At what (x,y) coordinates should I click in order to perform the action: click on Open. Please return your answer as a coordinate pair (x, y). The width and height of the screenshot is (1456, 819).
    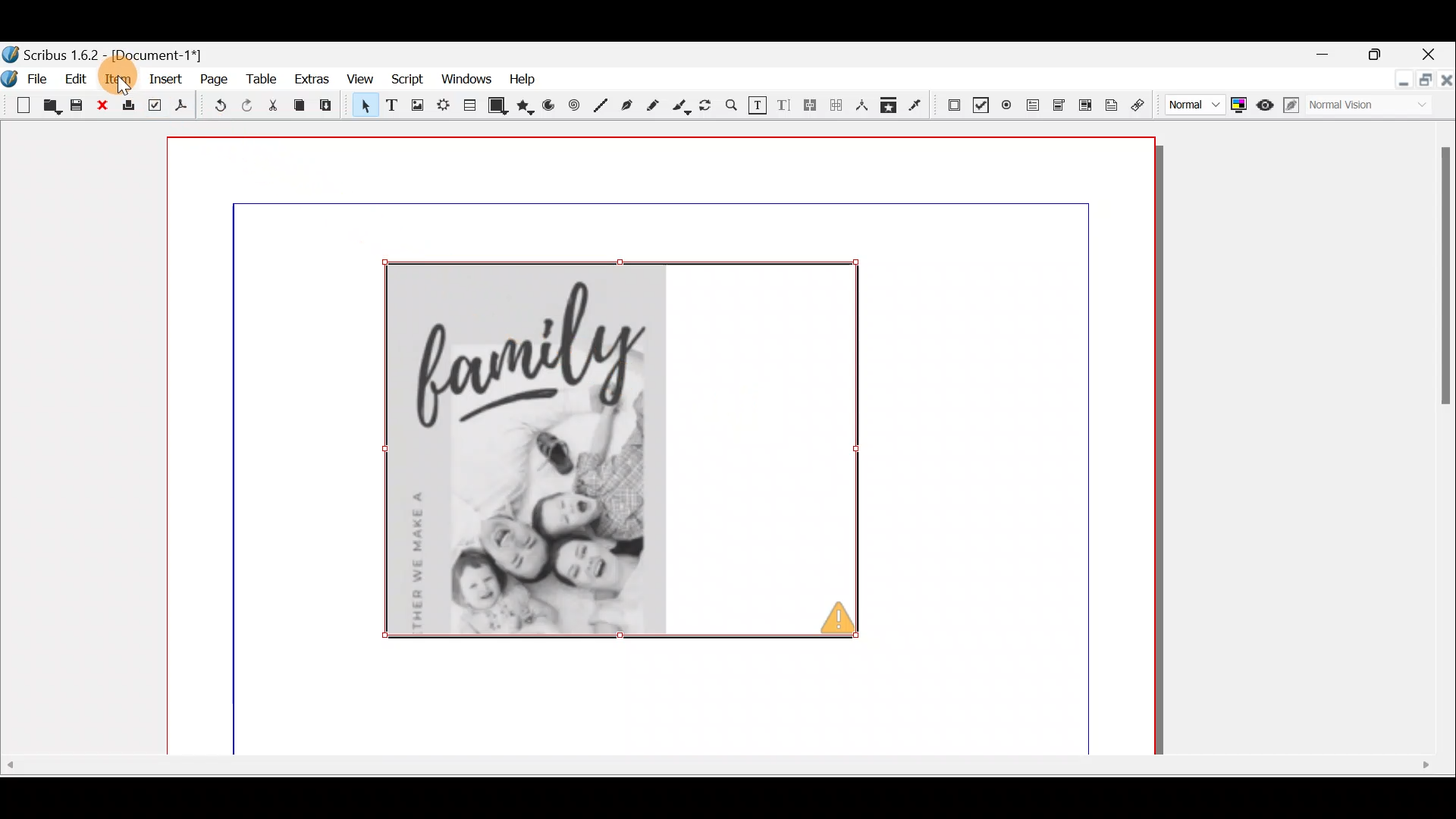
    Looking at the image, I should click on (52, 108).